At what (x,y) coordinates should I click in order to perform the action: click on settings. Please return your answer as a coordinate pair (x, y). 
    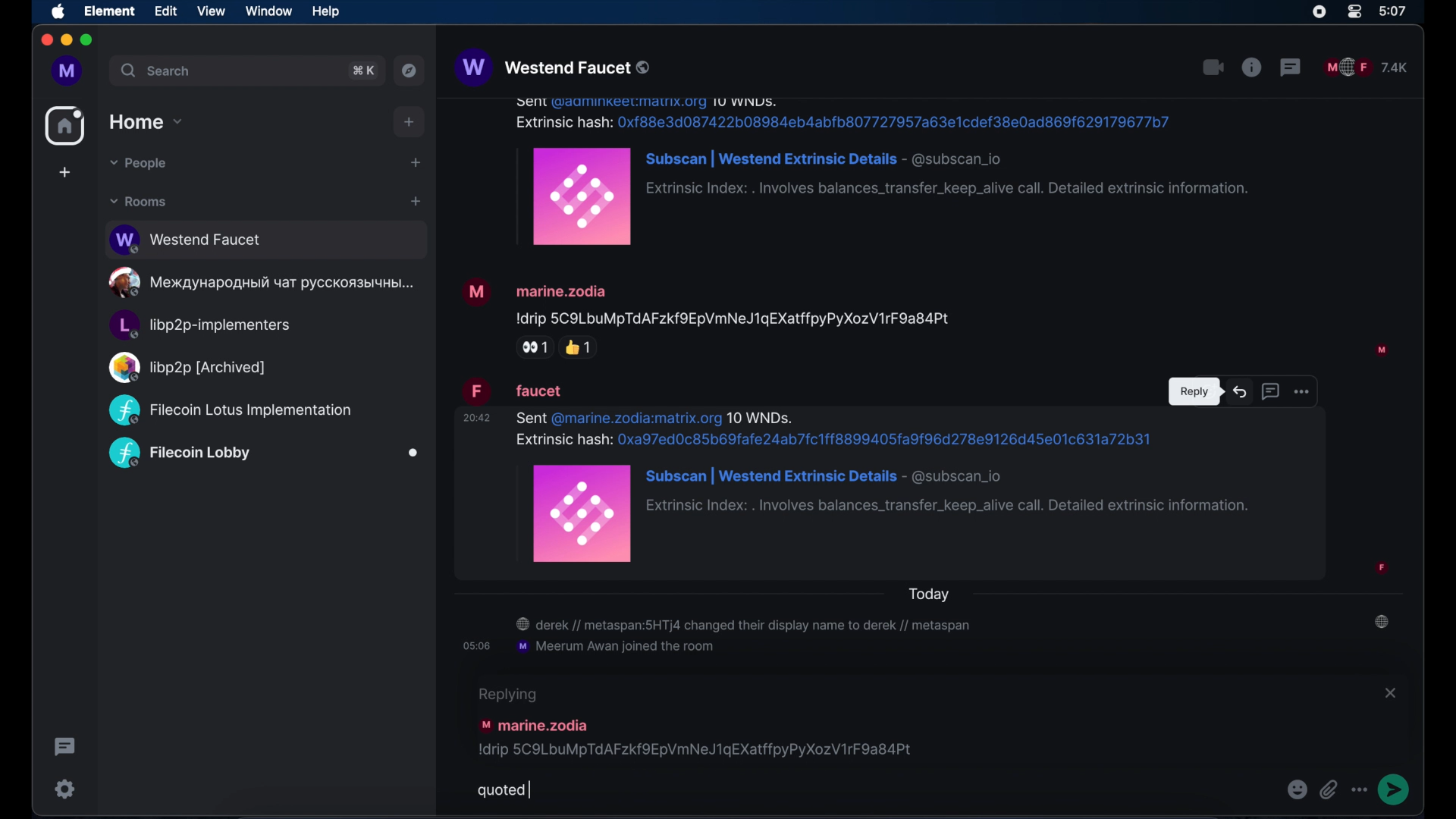
    Looking at the image, I should click on (65, 789).